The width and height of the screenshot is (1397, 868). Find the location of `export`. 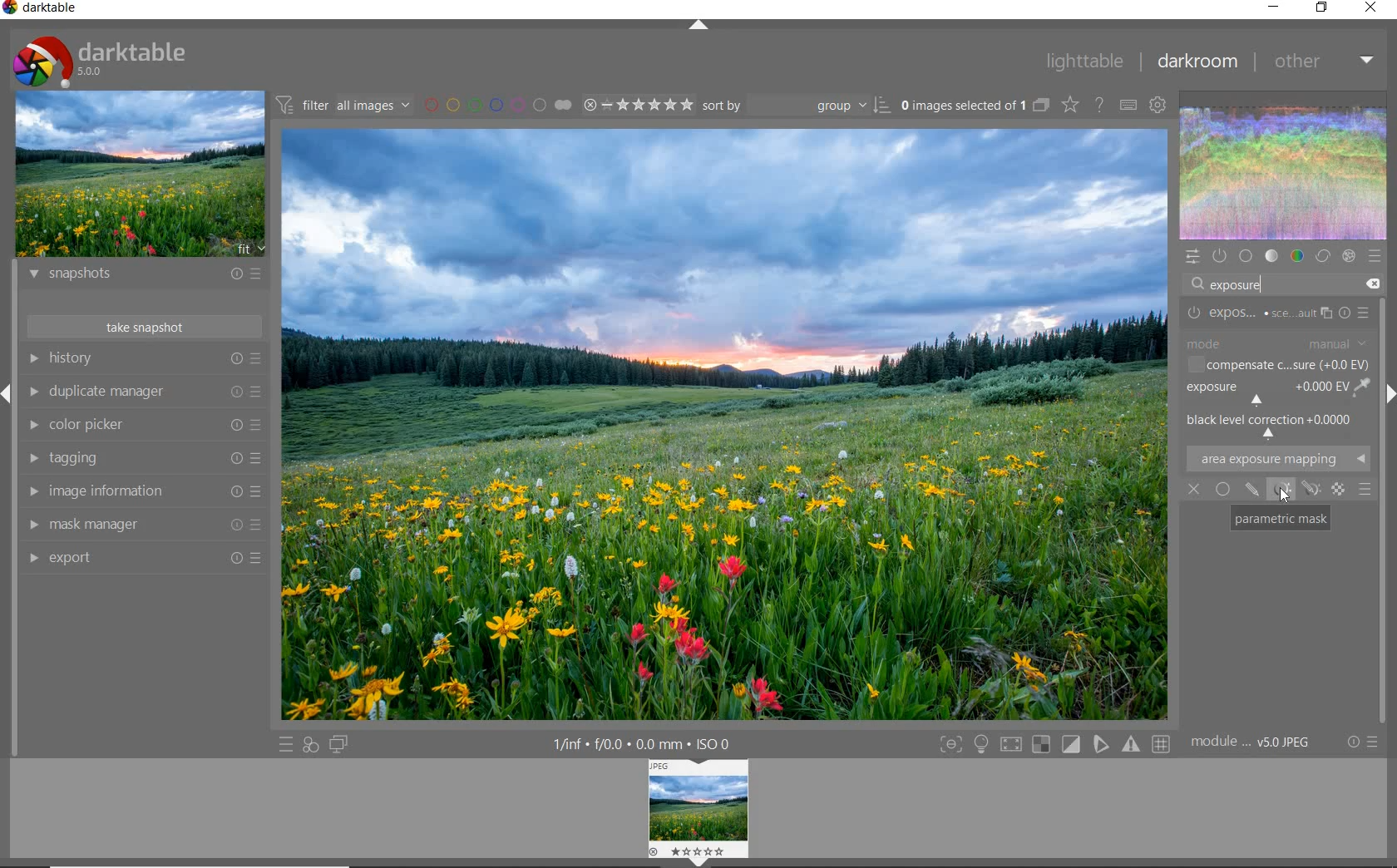

export is located at coordinates (146, 559).